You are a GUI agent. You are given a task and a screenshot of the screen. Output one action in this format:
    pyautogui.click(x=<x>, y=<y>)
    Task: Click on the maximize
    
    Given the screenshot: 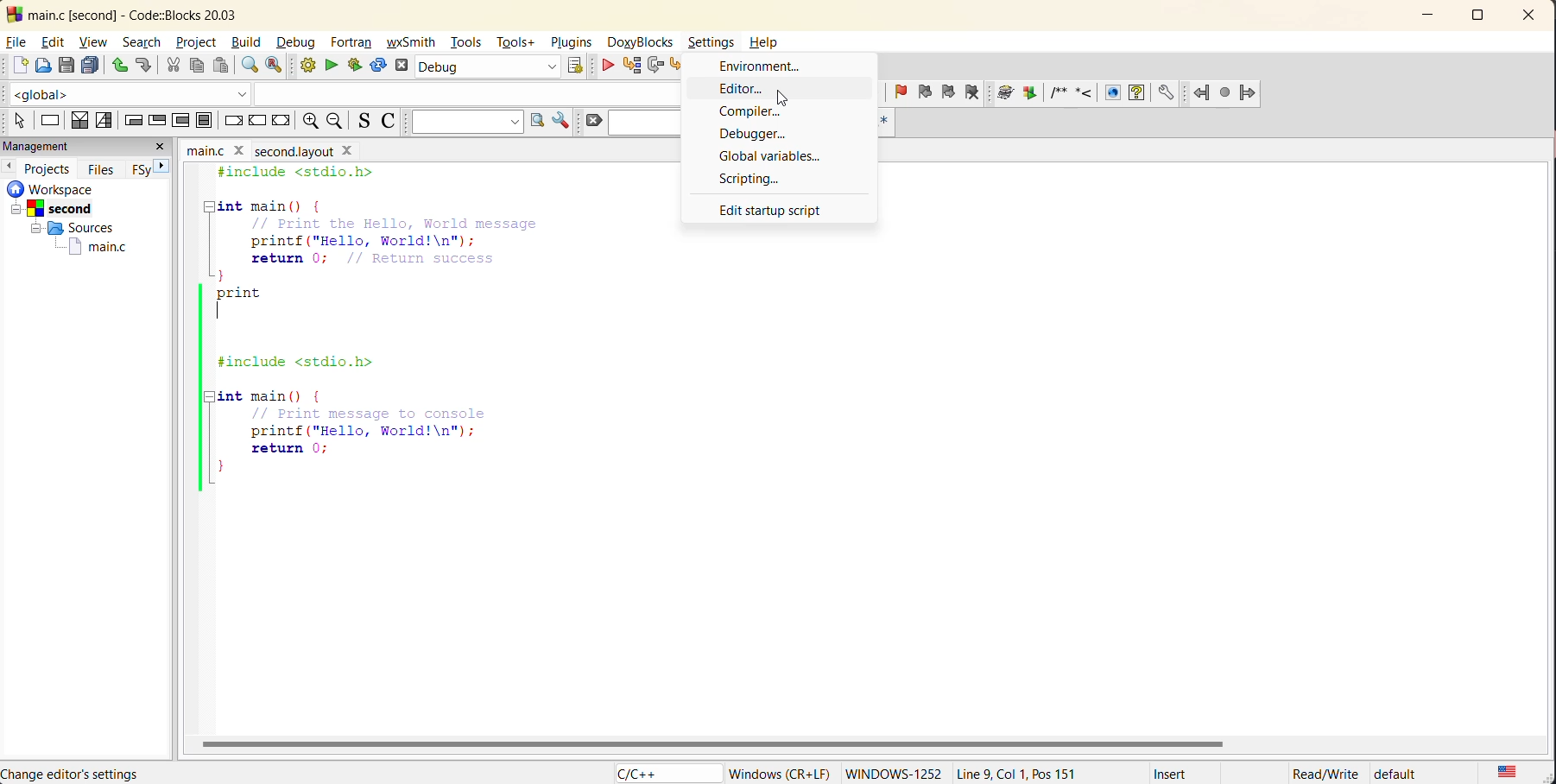 What is the action you would take?
    pyautogui.click(x=1483, y=18)
    